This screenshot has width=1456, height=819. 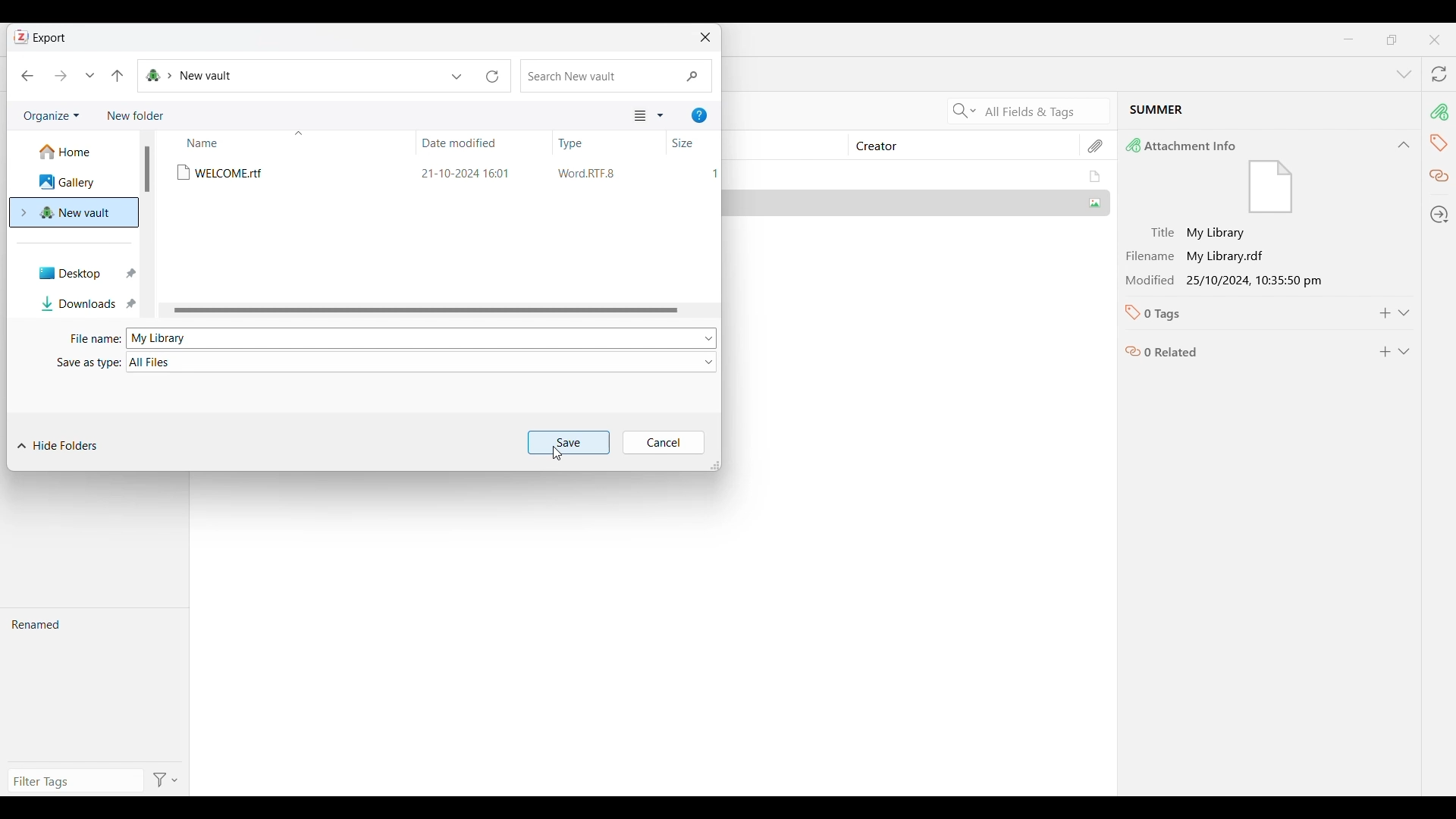 What do you see at coordinates (51, 116) in the screenshot?
I see `Organize current folder` at bounding box center [51, 116].